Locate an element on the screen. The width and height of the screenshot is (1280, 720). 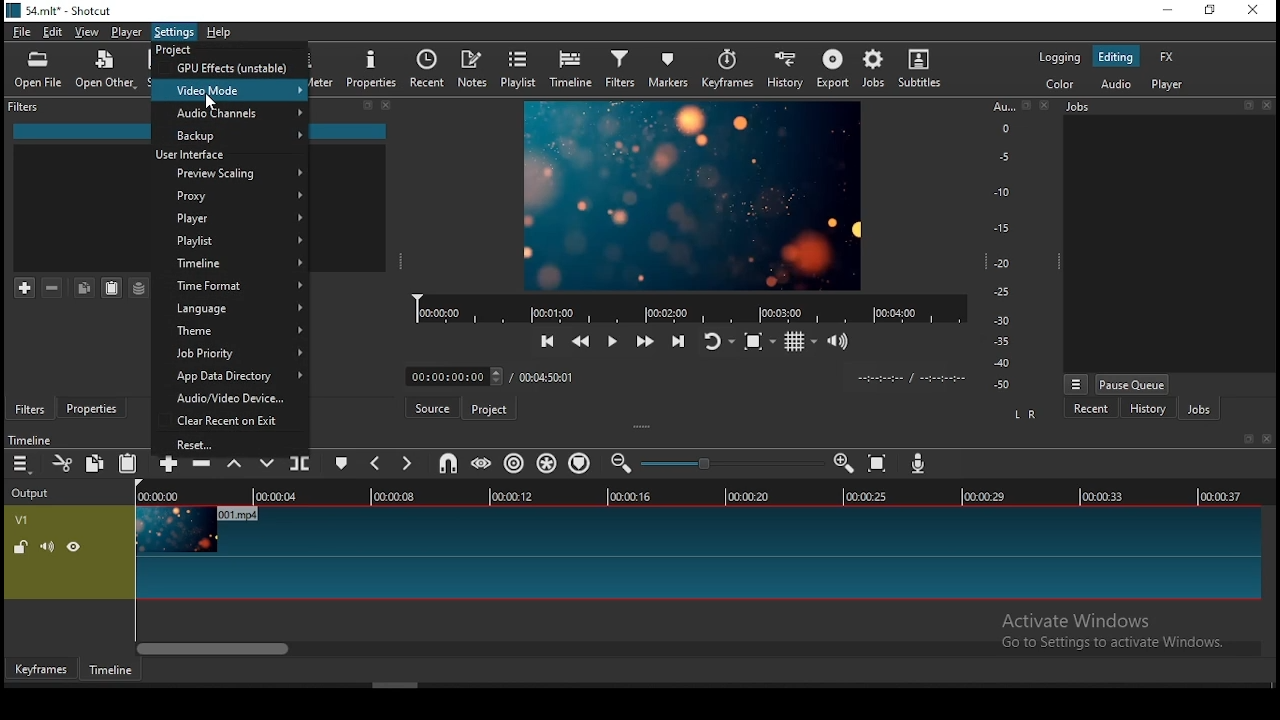
-20 is located at coordinates (1002, 263).